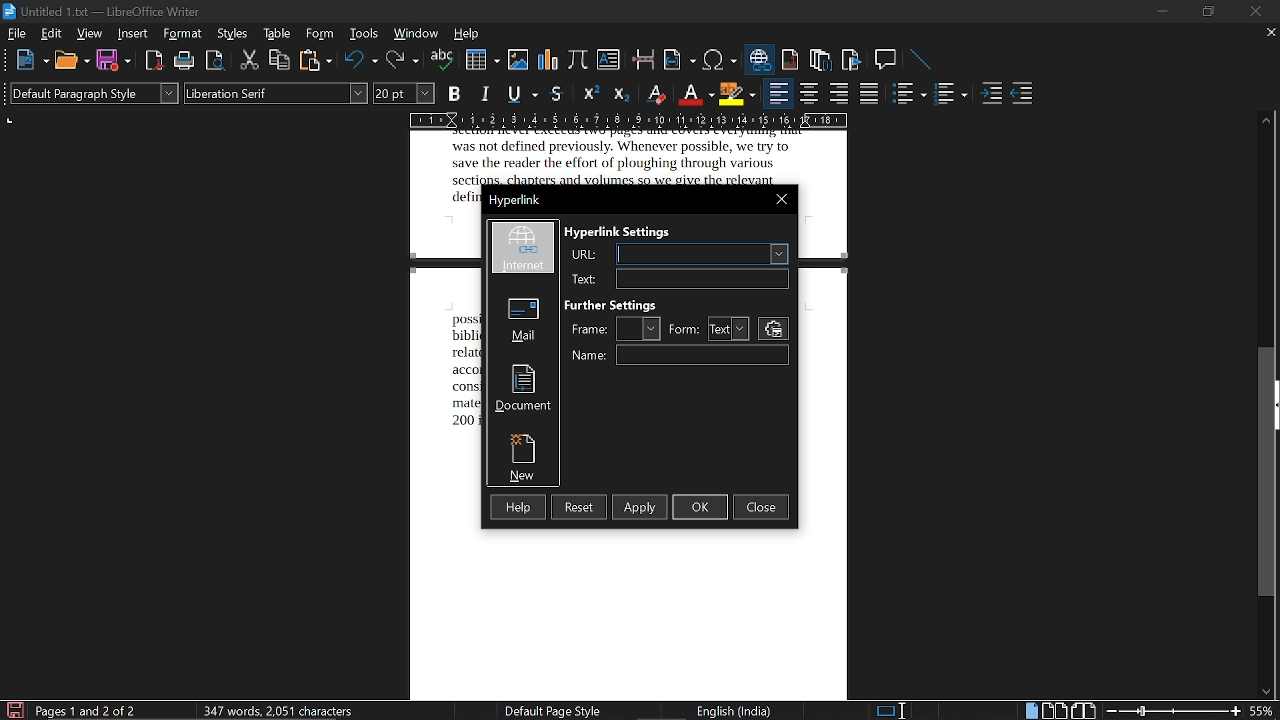 The height and width of the screenshot is (720, 1280). I want to click on book view, so click(1083, 709).